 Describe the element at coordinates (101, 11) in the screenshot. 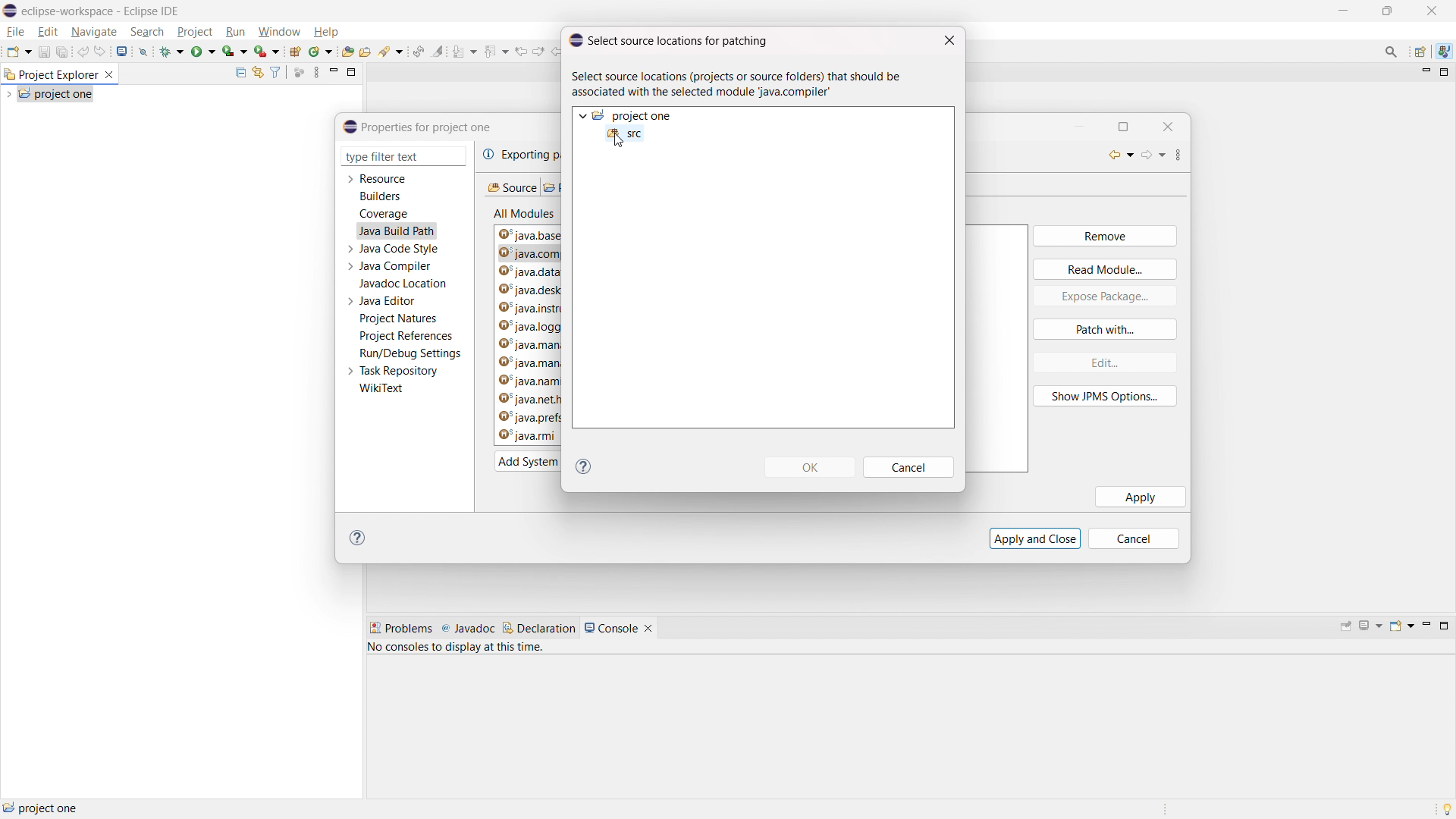

I see `eclipse-workspace - Eclipse IDE` at that location.